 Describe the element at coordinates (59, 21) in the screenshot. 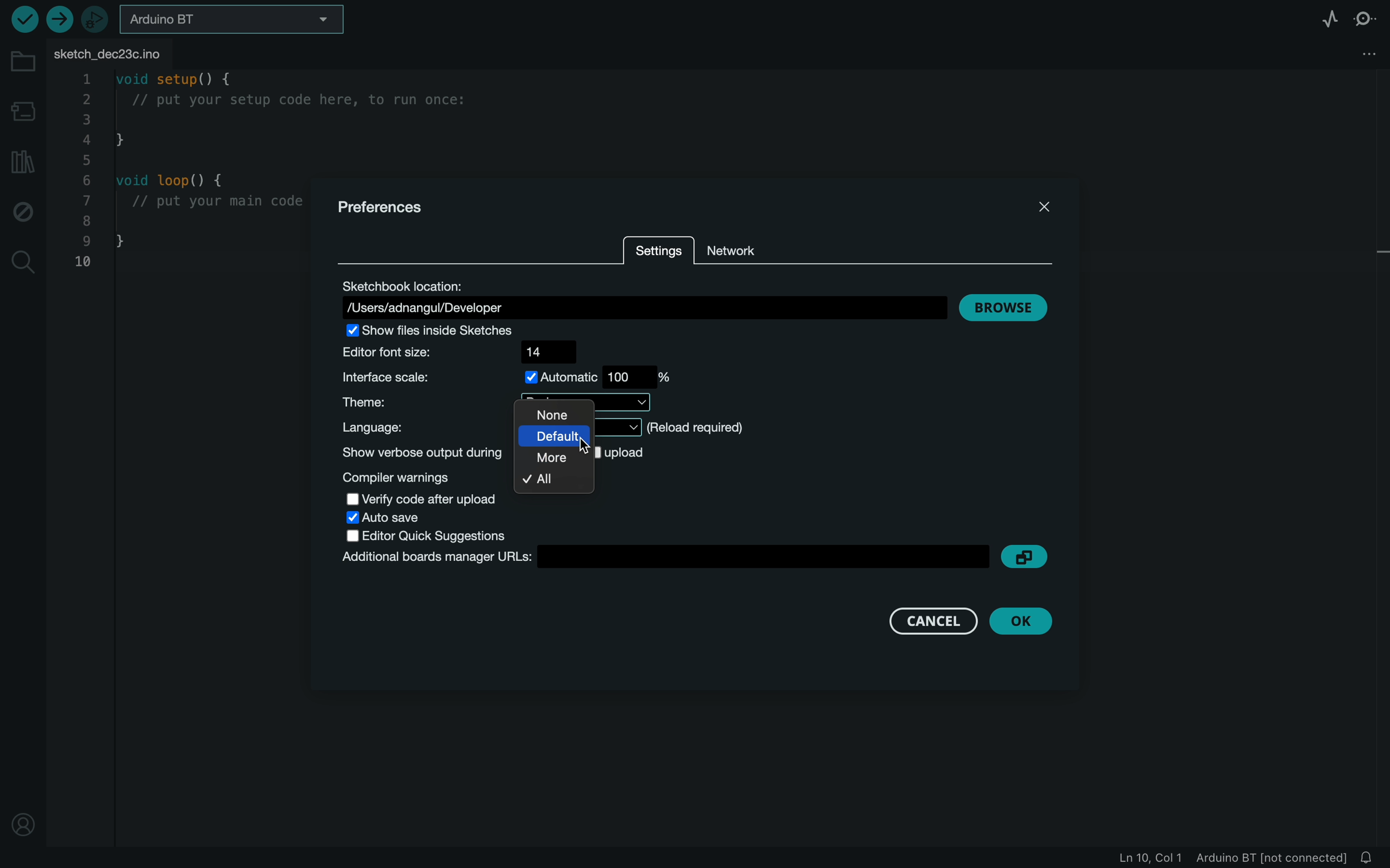

I see `upload` at that location.